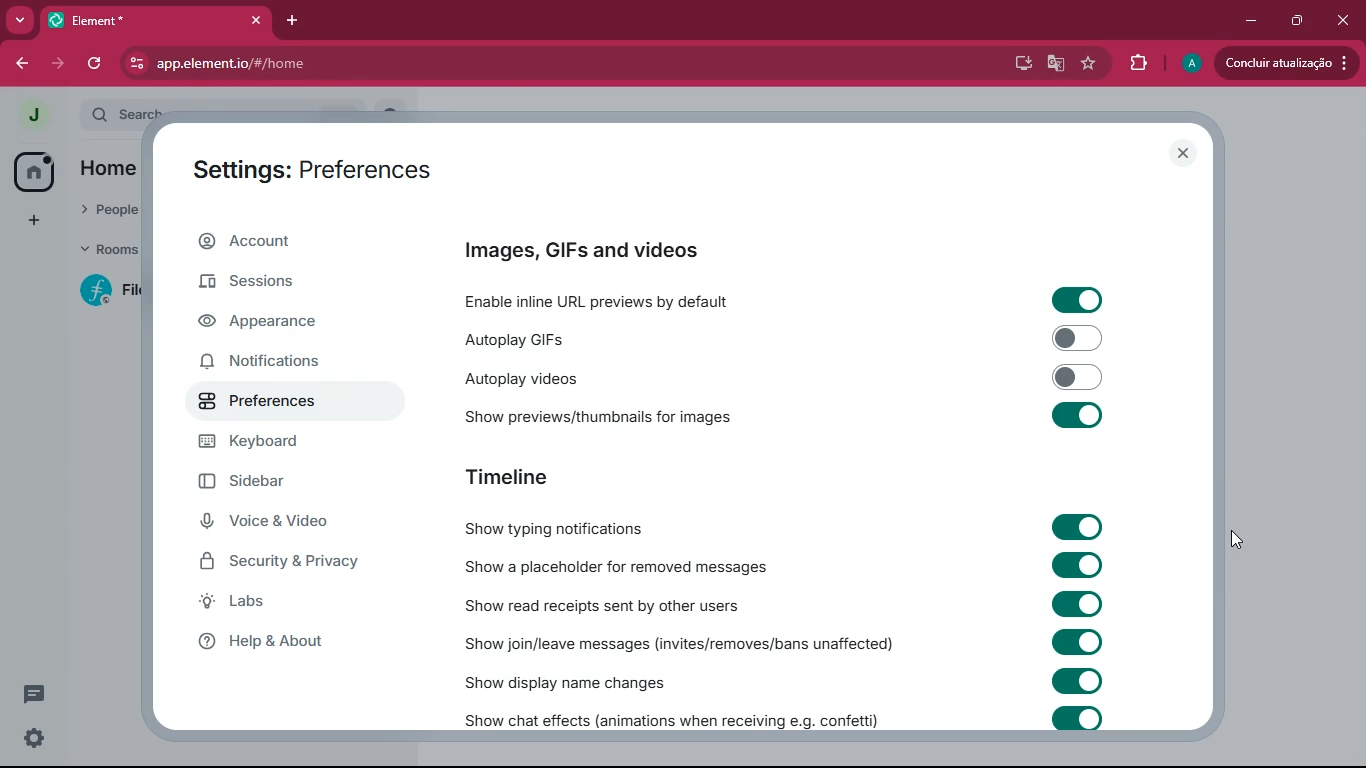  I want to click on close, so click(1181, 154).